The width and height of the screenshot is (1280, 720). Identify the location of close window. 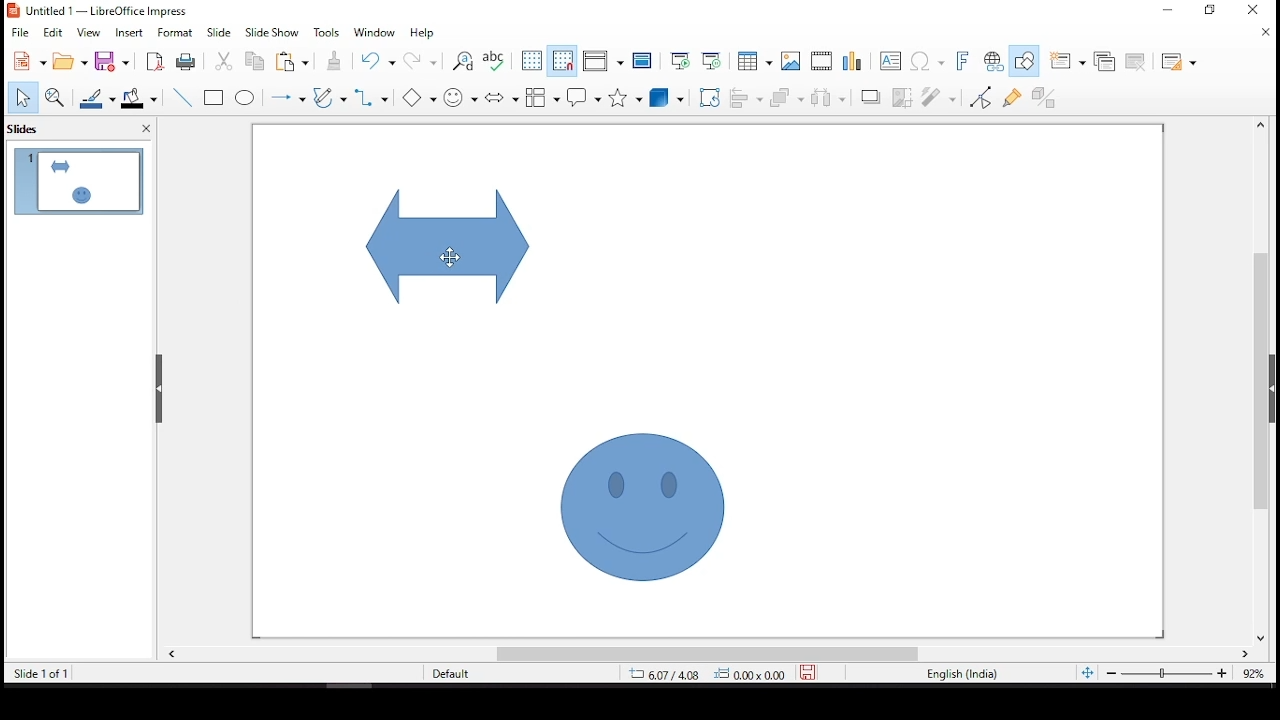
(1257, 9).